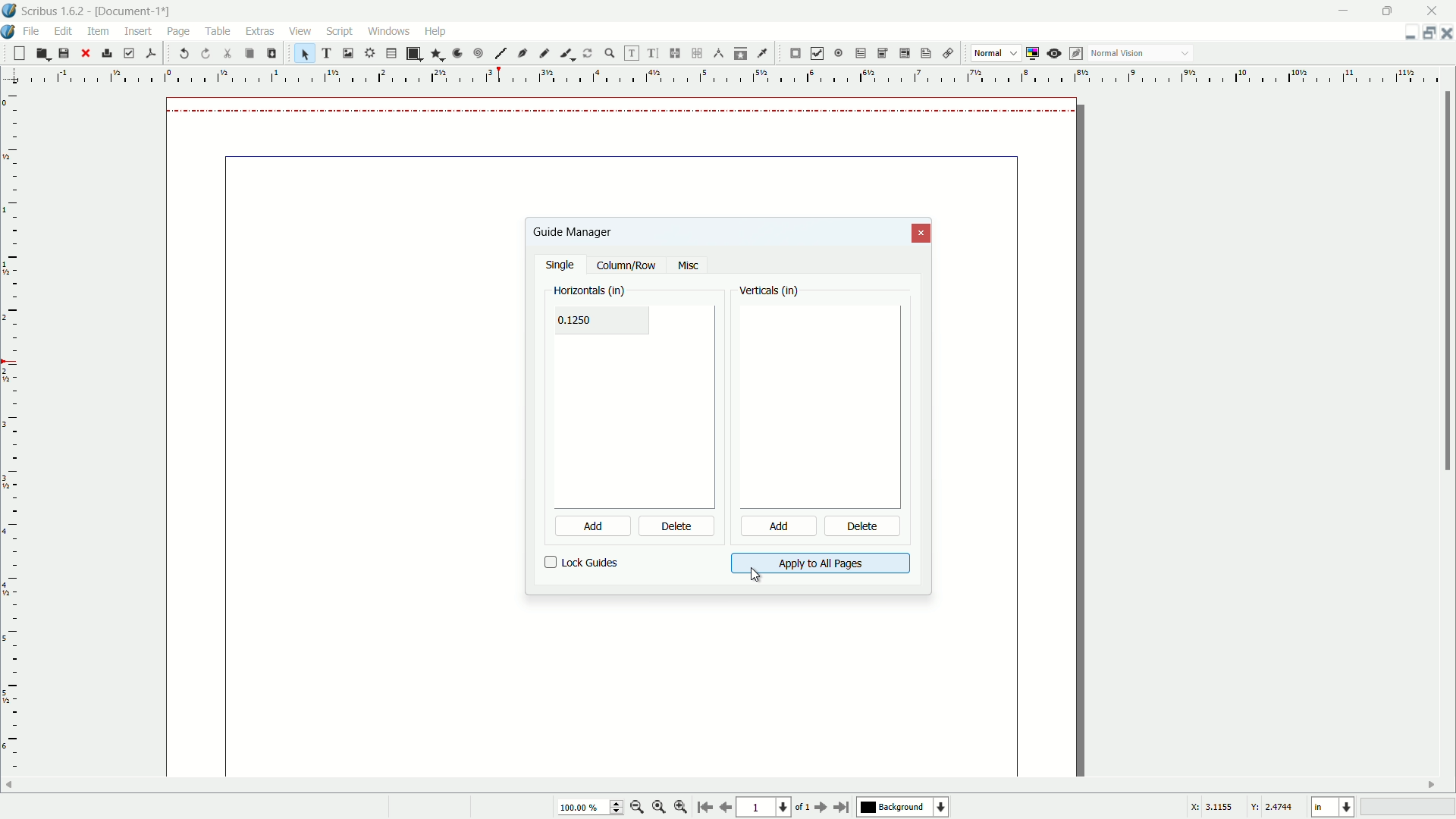  I want to click on app name, so click(53, 12).